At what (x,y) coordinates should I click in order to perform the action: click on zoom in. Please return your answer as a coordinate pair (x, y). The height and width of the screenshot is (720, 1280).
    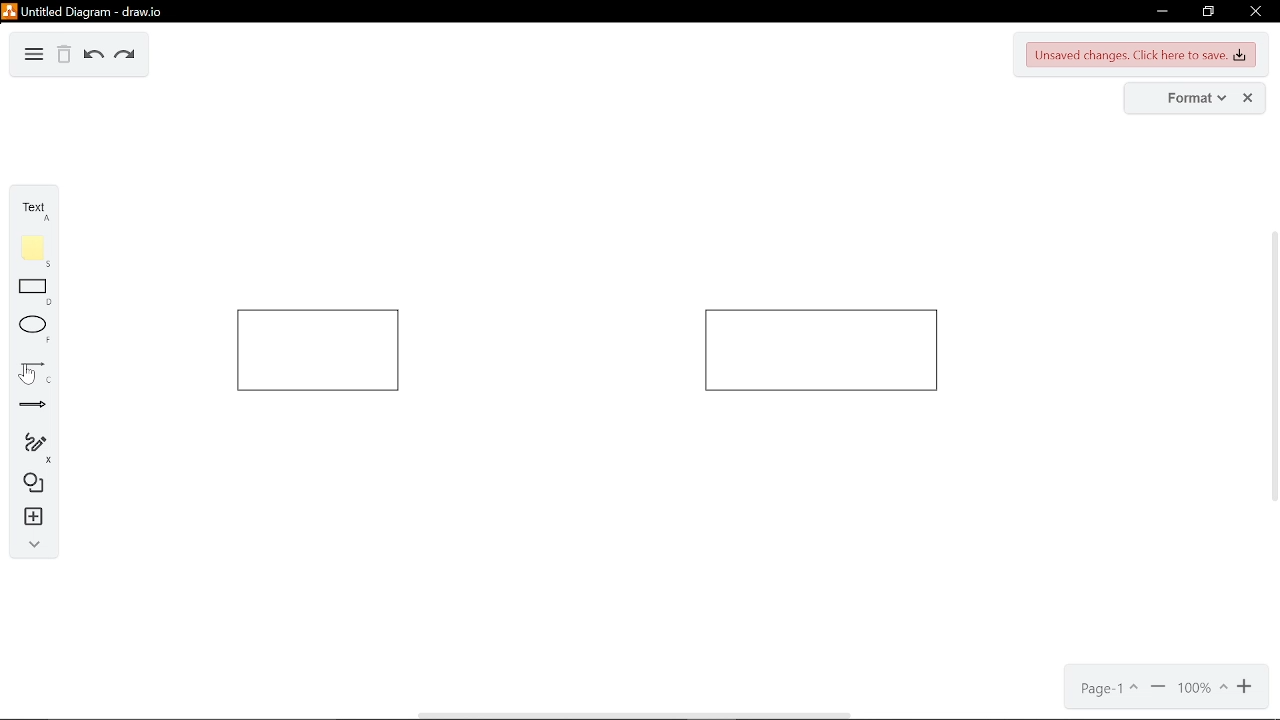
    Looking at the image, I should click on (1244, 690).